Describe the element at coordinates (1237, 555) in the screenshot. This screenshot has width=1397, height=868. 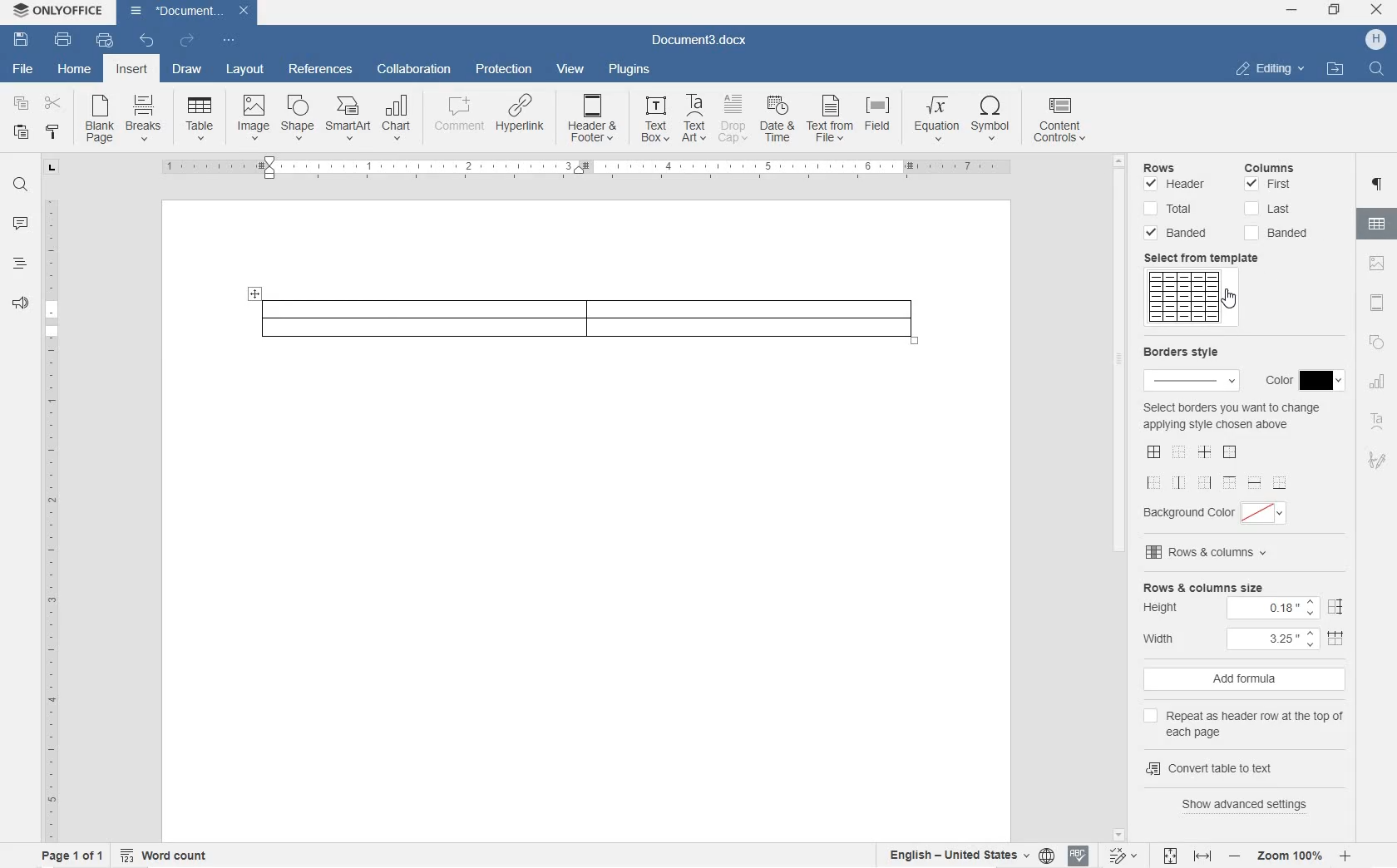
I see `rows & columns` at that location.